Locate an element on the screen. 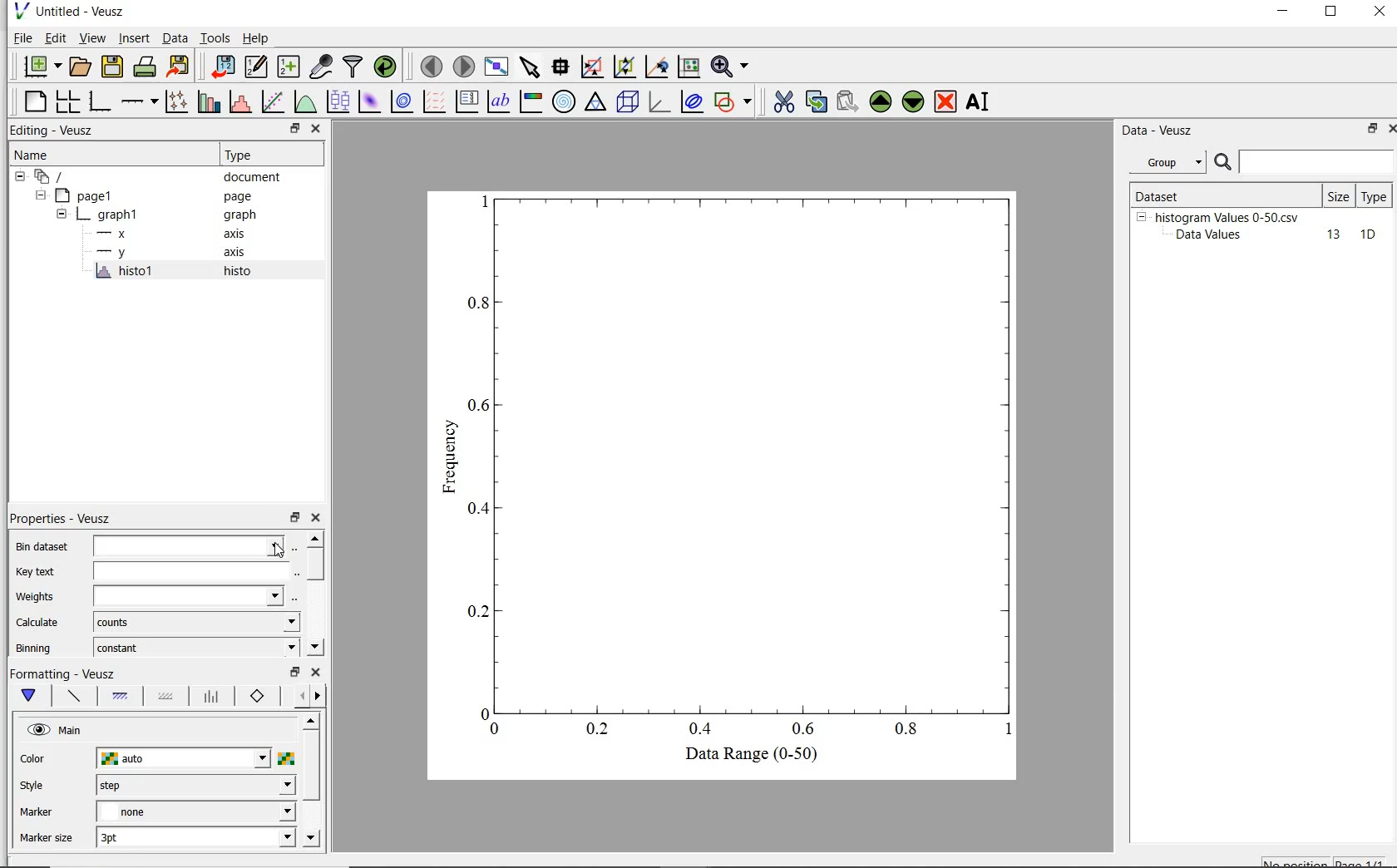 This screenshot has width=1397, height=868. move up the selected widget is located at coordinates (879, 102).